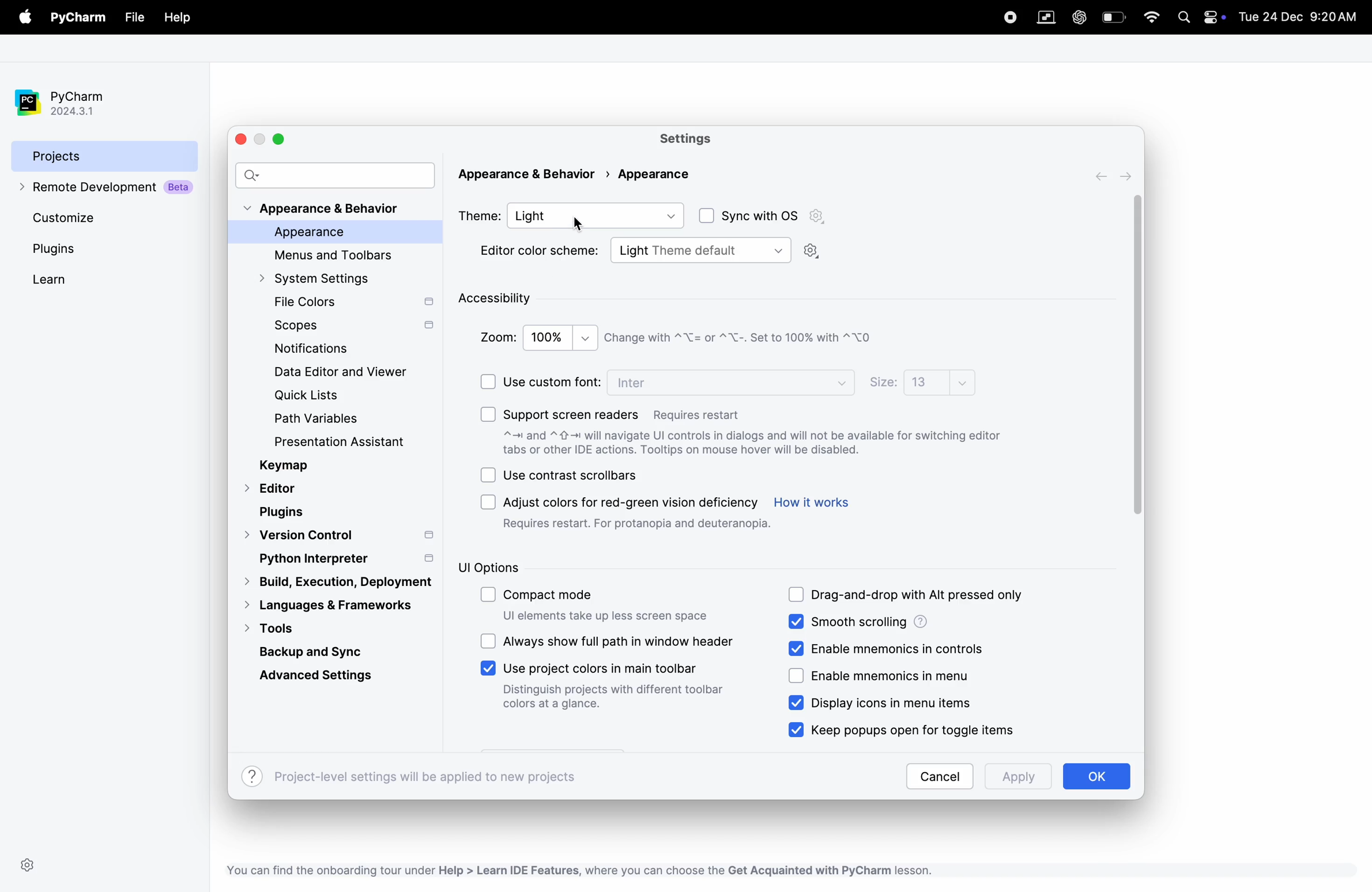 The width and height of the screenshot is (1372, 892). Describe the element at coordinates (329, 233) in the screenshot. I see `apperance` at that location.